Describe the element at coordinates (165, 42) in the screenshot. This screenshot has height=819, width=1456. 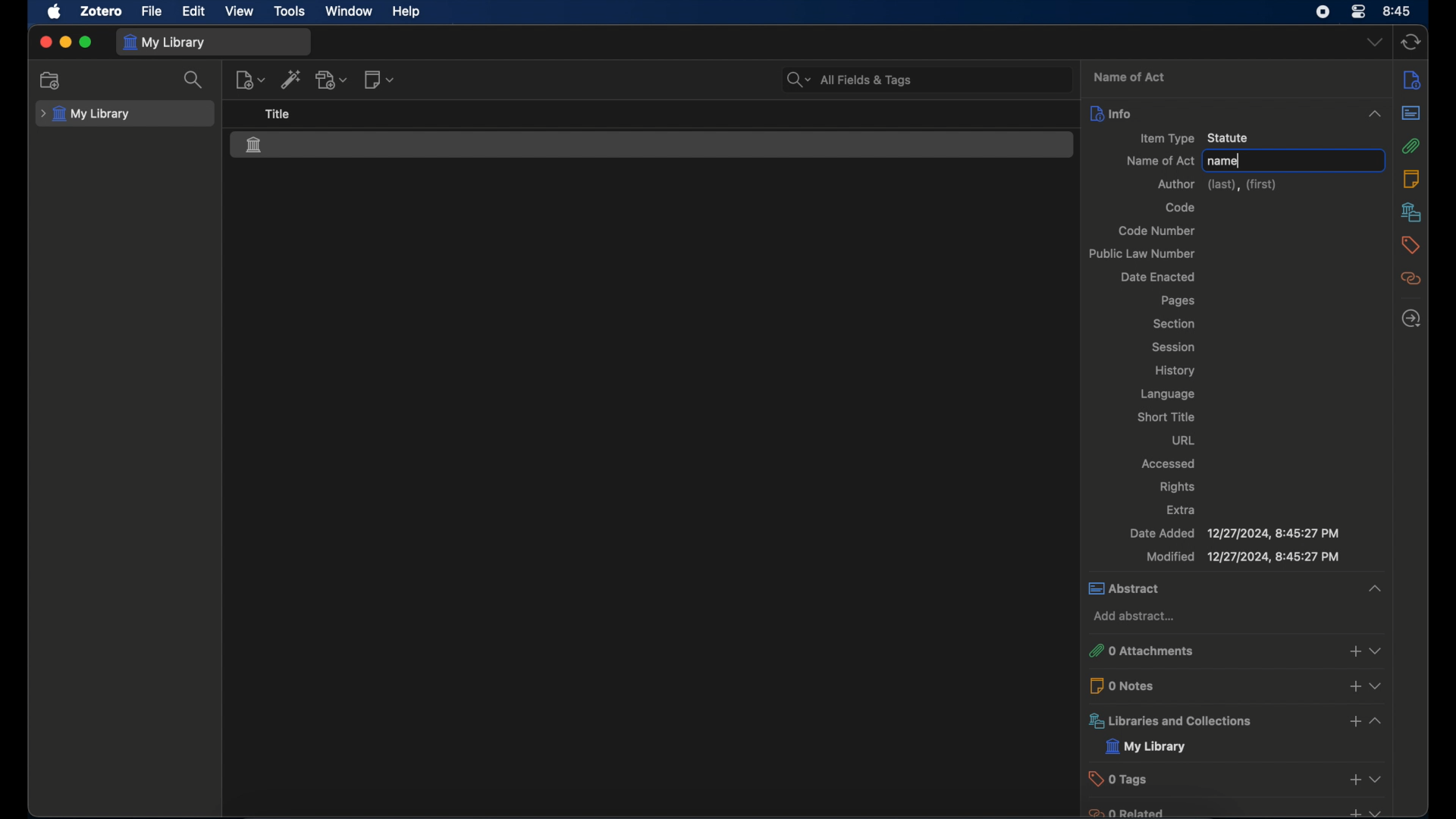
I see `my library` at that location.